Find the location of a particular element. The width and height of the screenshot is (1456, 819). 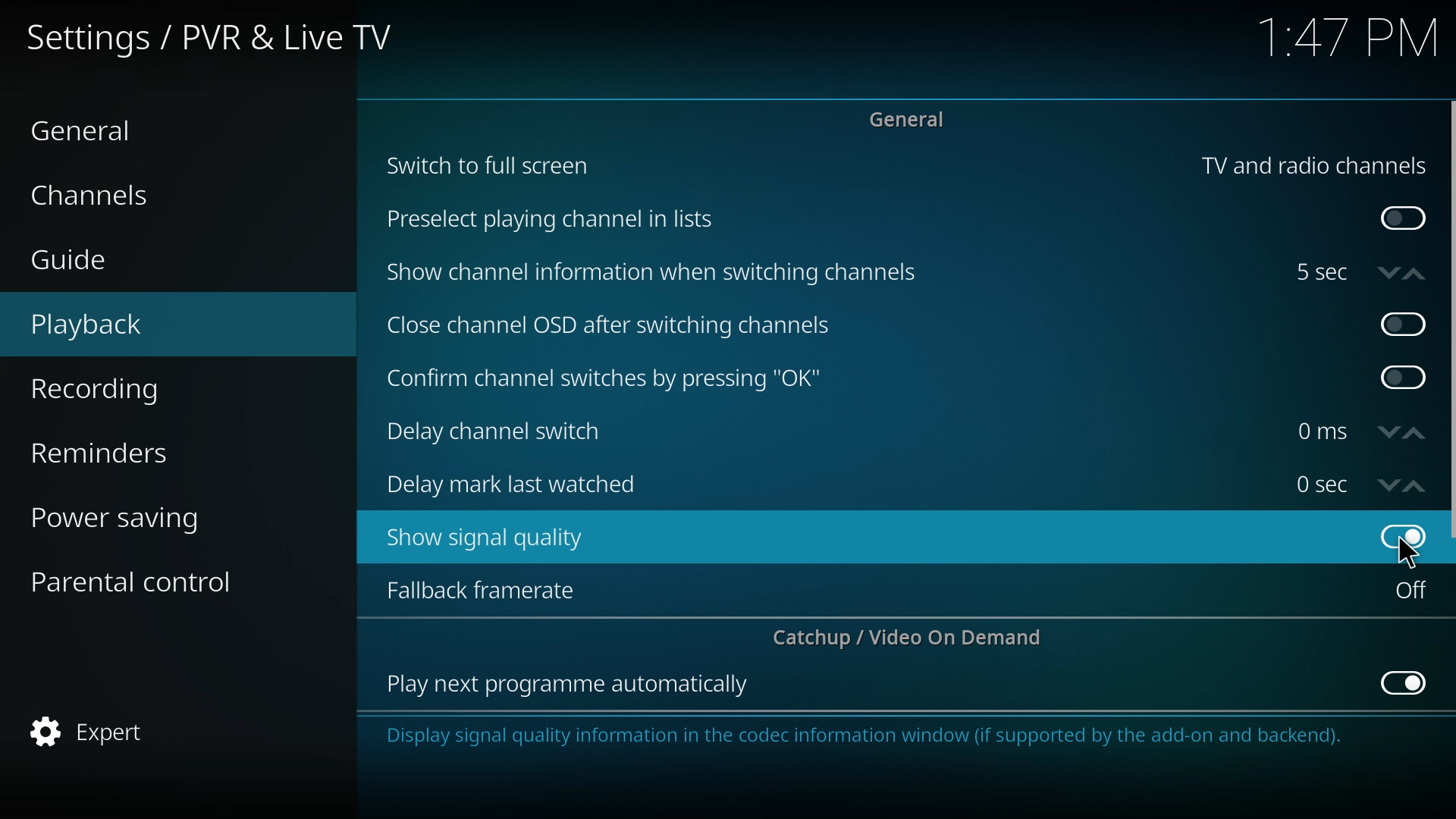

confirm channel switches by pressing ok is located at coordinates (603, 379).